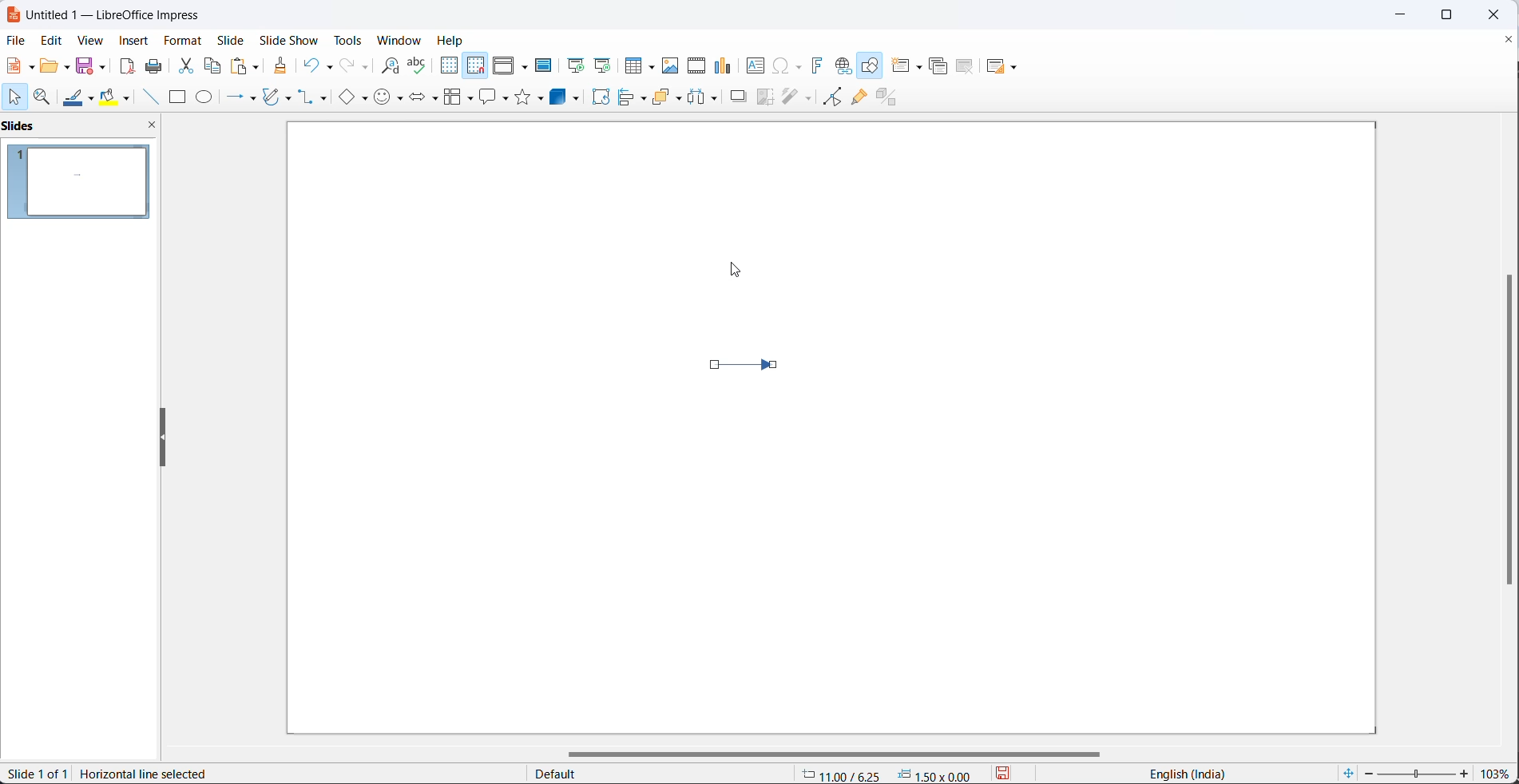 Image resolution: width=1519 pixels, height=784 pixels. What do you see at coordinates (149, 774) in the screenshot?
I see `horizontal line selected` at bounding box center [149, 774].